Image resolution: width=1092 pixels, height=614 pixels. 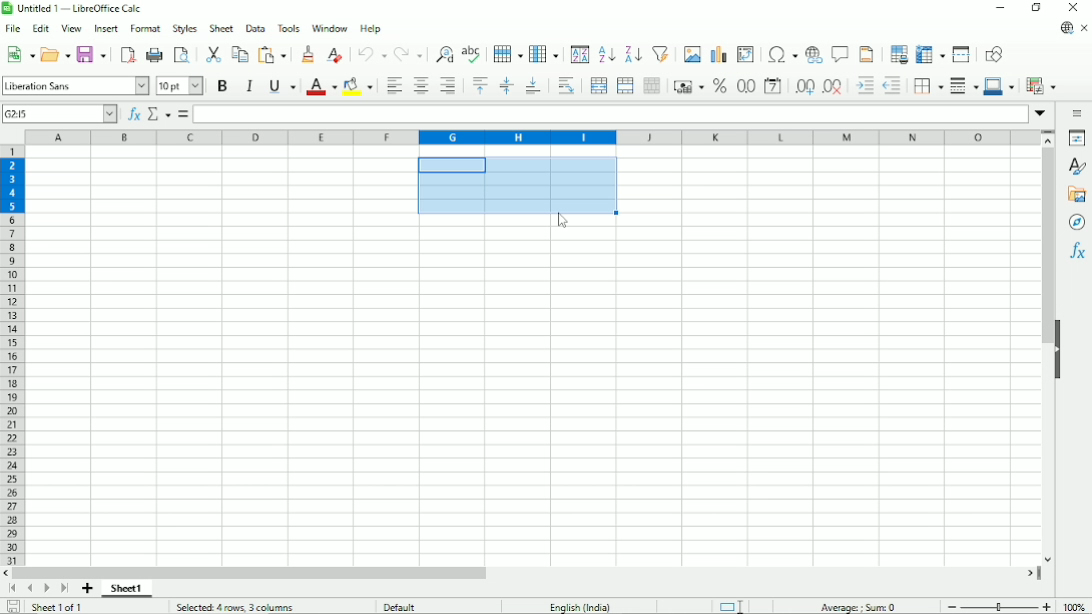 I want to click on Insert special characters, so click(x=781, y=54).